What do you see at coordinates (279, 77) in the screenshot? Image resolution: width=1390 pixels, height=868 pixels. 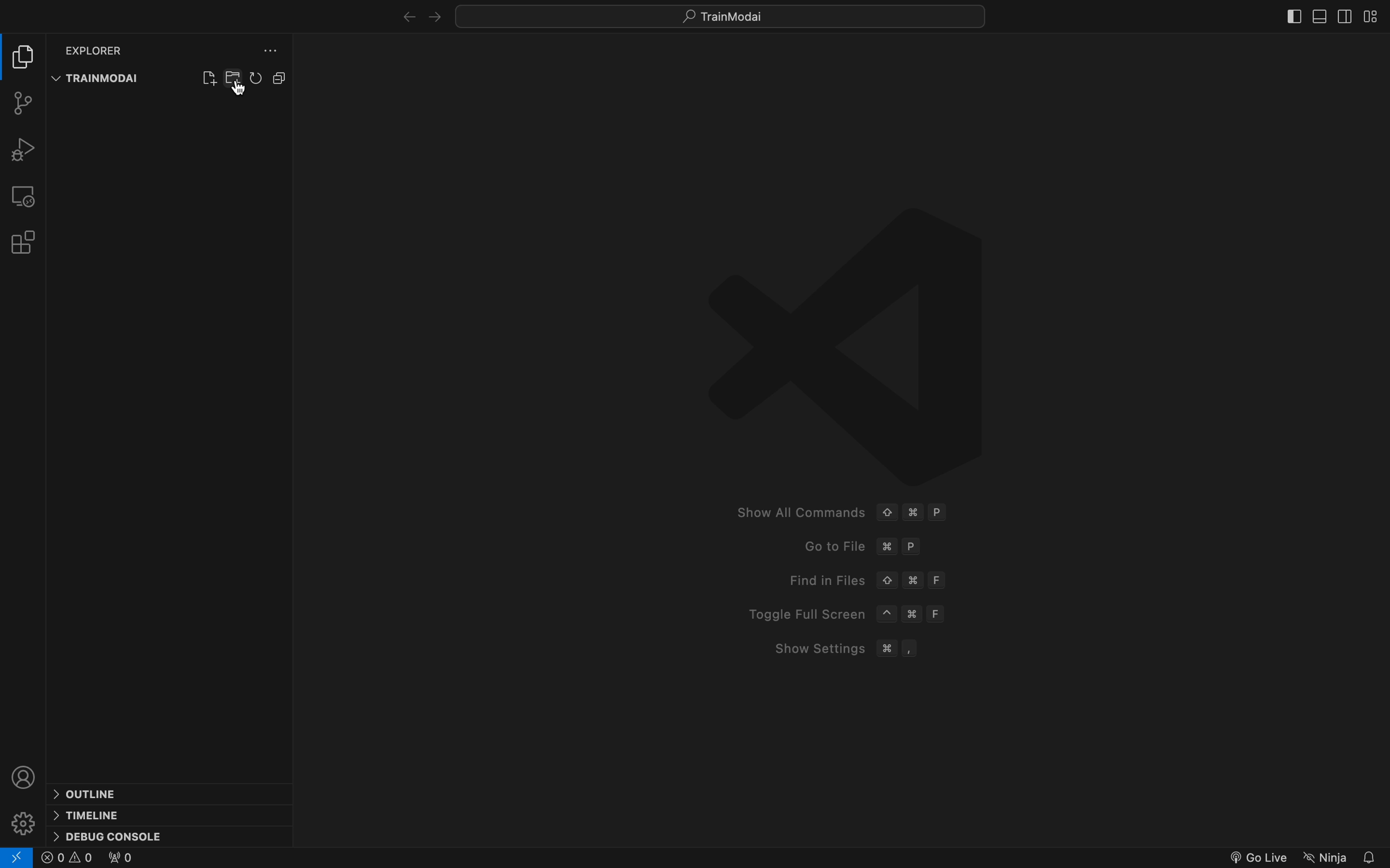 I see `hide folder content` at bounding box center [279, 77].